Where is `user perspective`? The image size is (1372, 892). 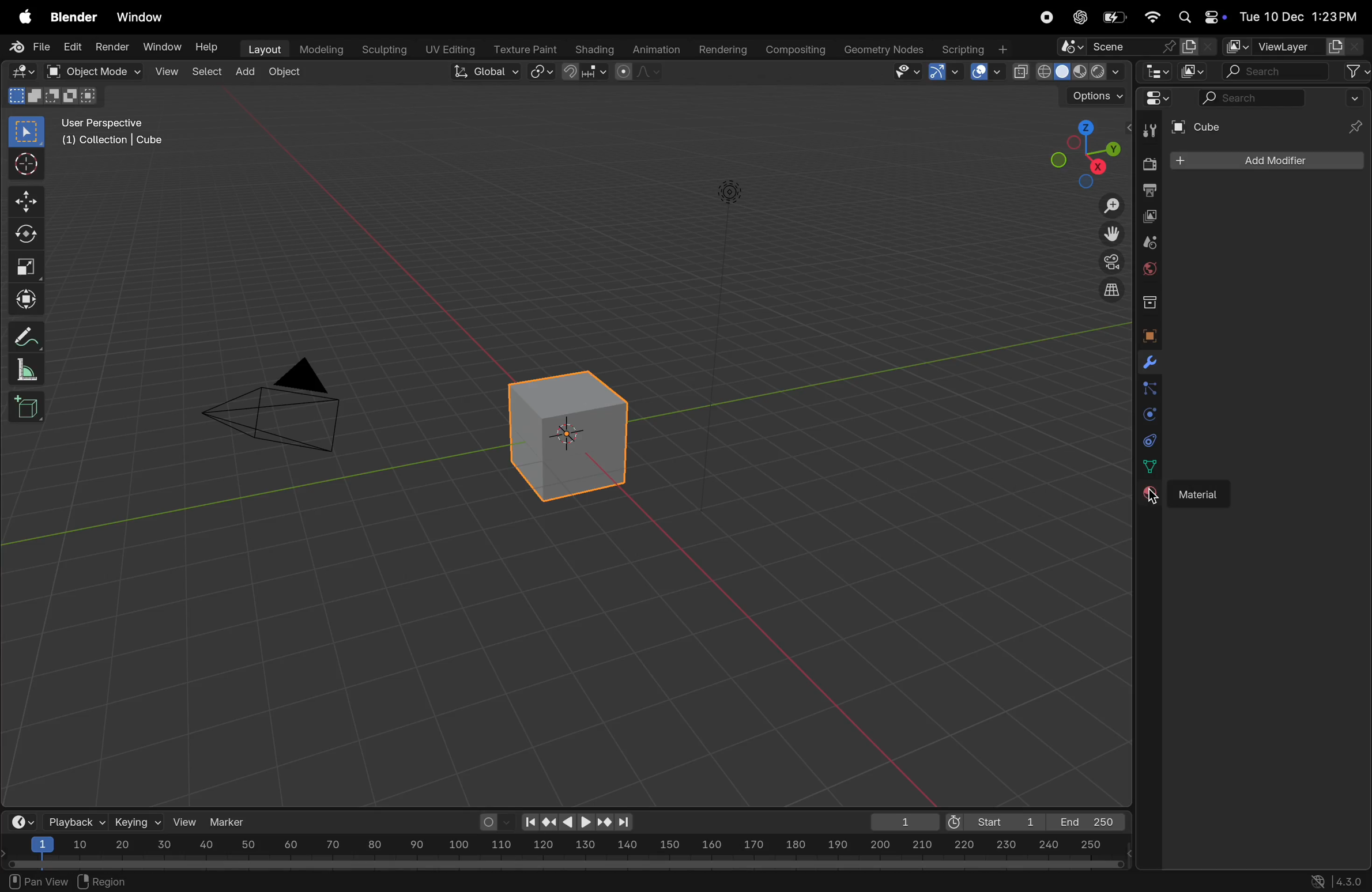
user perspective is located at coordinates (119, 131).